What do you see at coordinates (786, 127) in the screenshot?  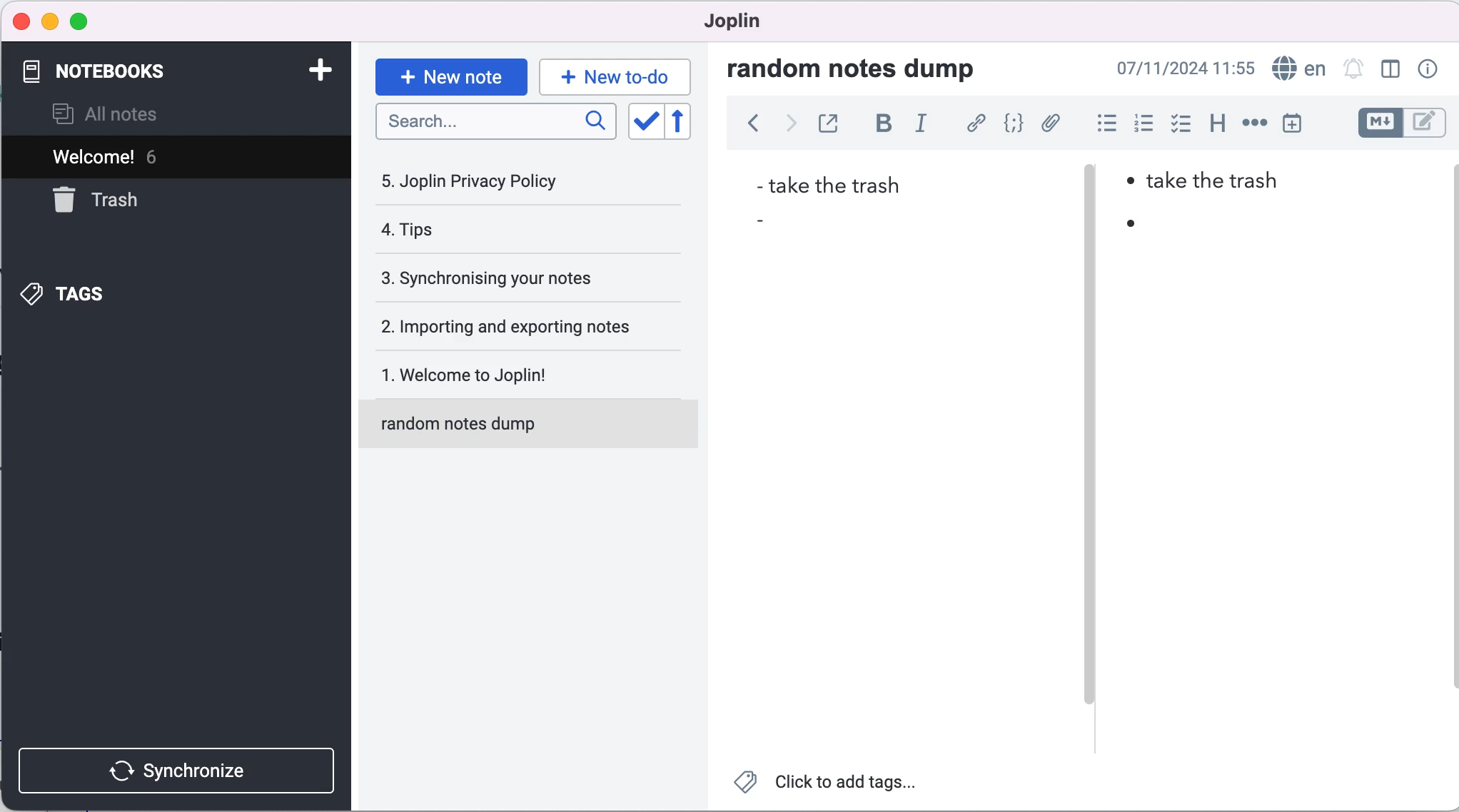 I see `forward` at bounding box center [786, 127].